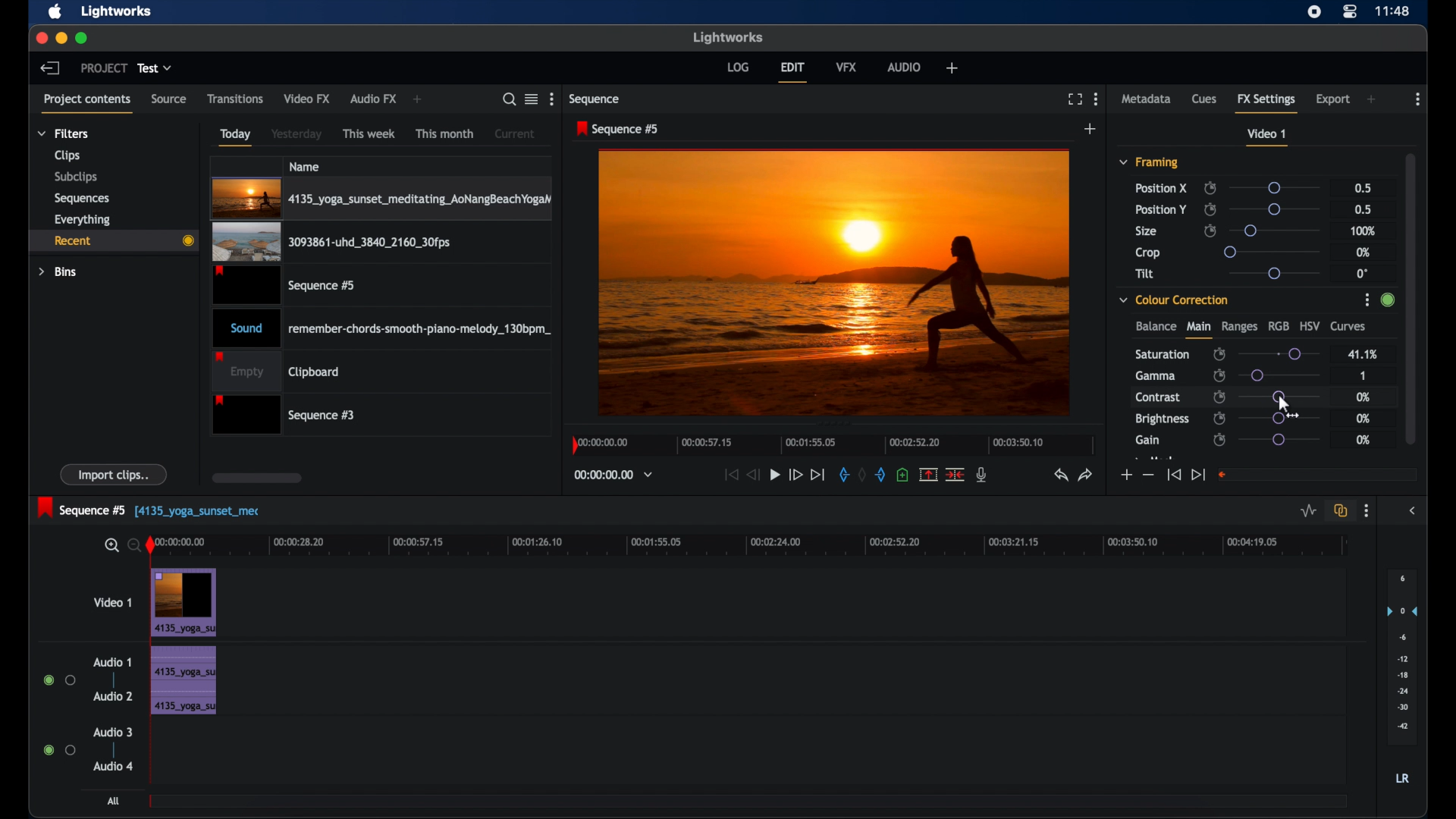 The height and width of the screenshot is (819, 1456). What do you see at coordinates (59, 750) in the screenshot?
I see `radio buttons` at bounding box center [59, 750].